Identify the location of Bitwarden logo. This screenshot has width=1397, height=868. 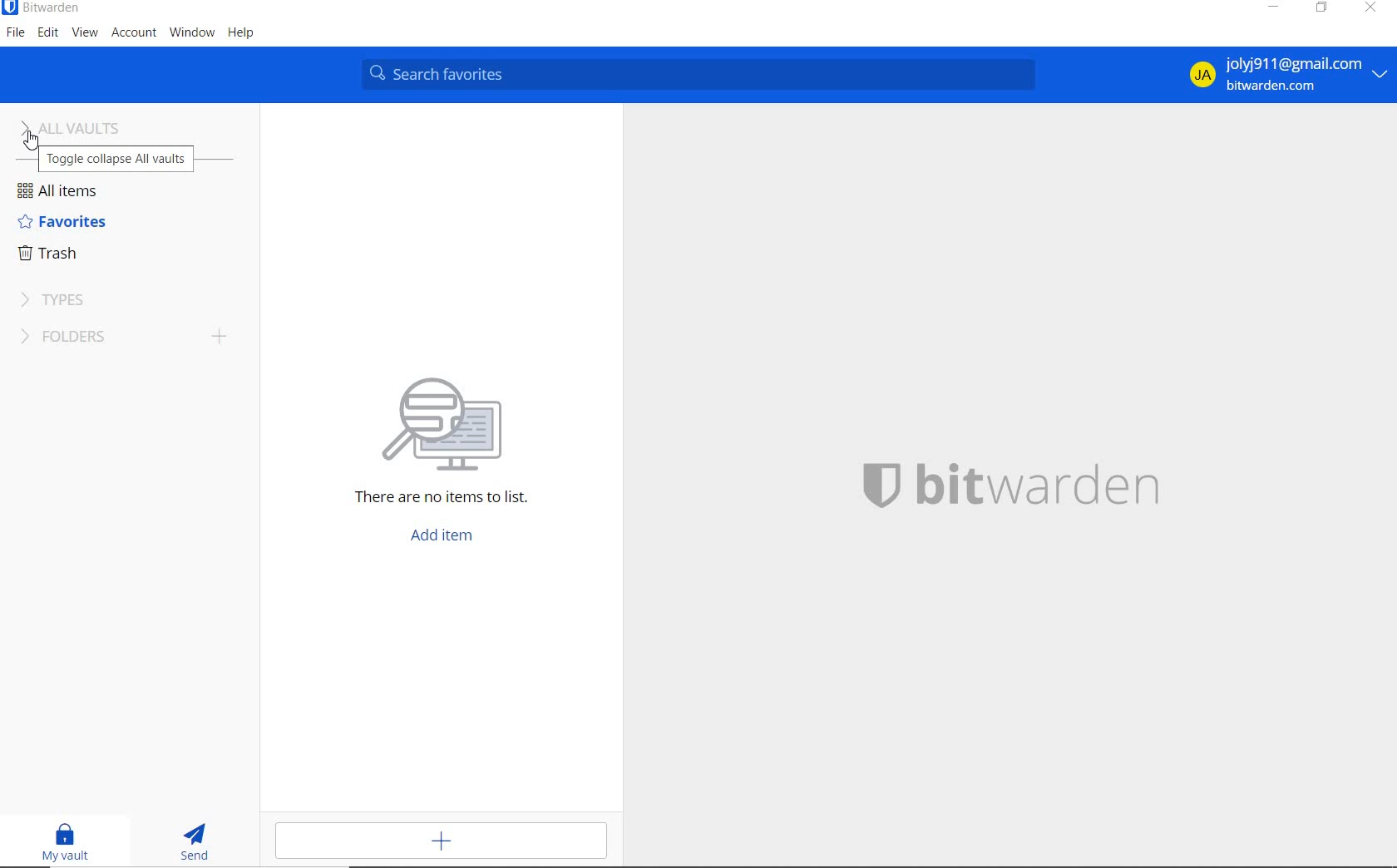
(879, 483).